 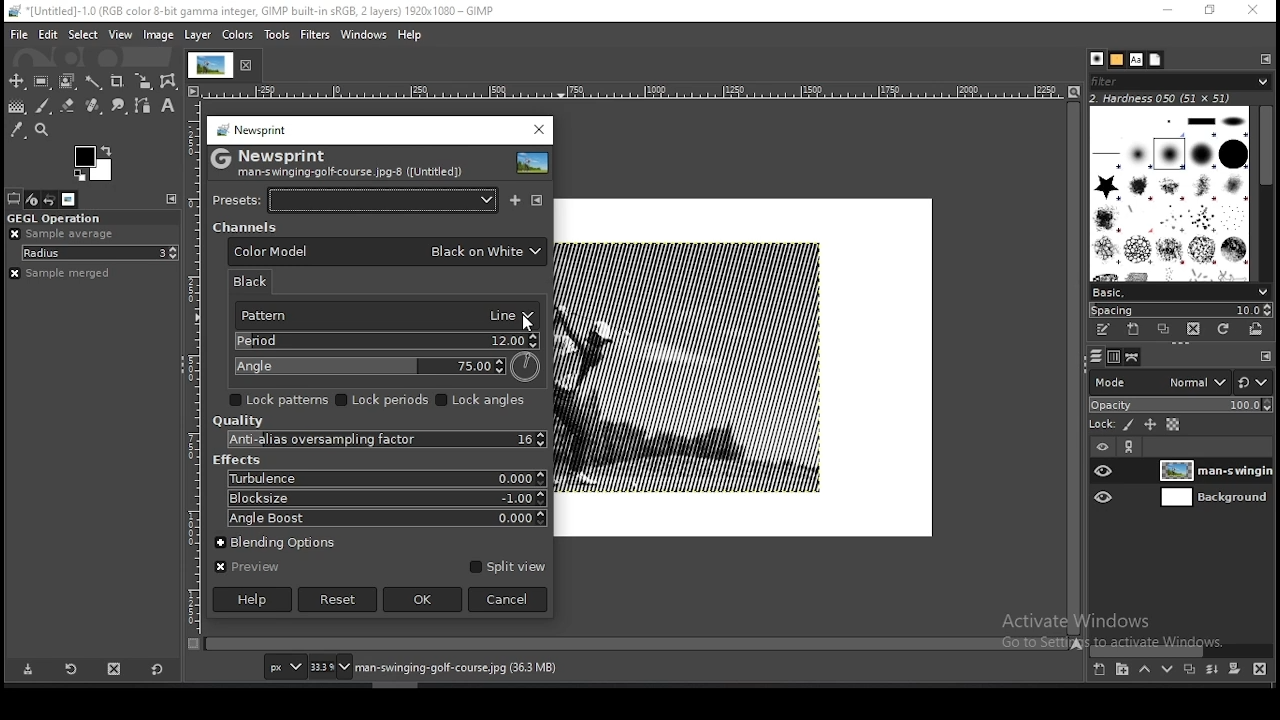 What do you see at coordinates (144, 82) in the screenshot?
I see `scale tool` at bounding box center [144, 82].